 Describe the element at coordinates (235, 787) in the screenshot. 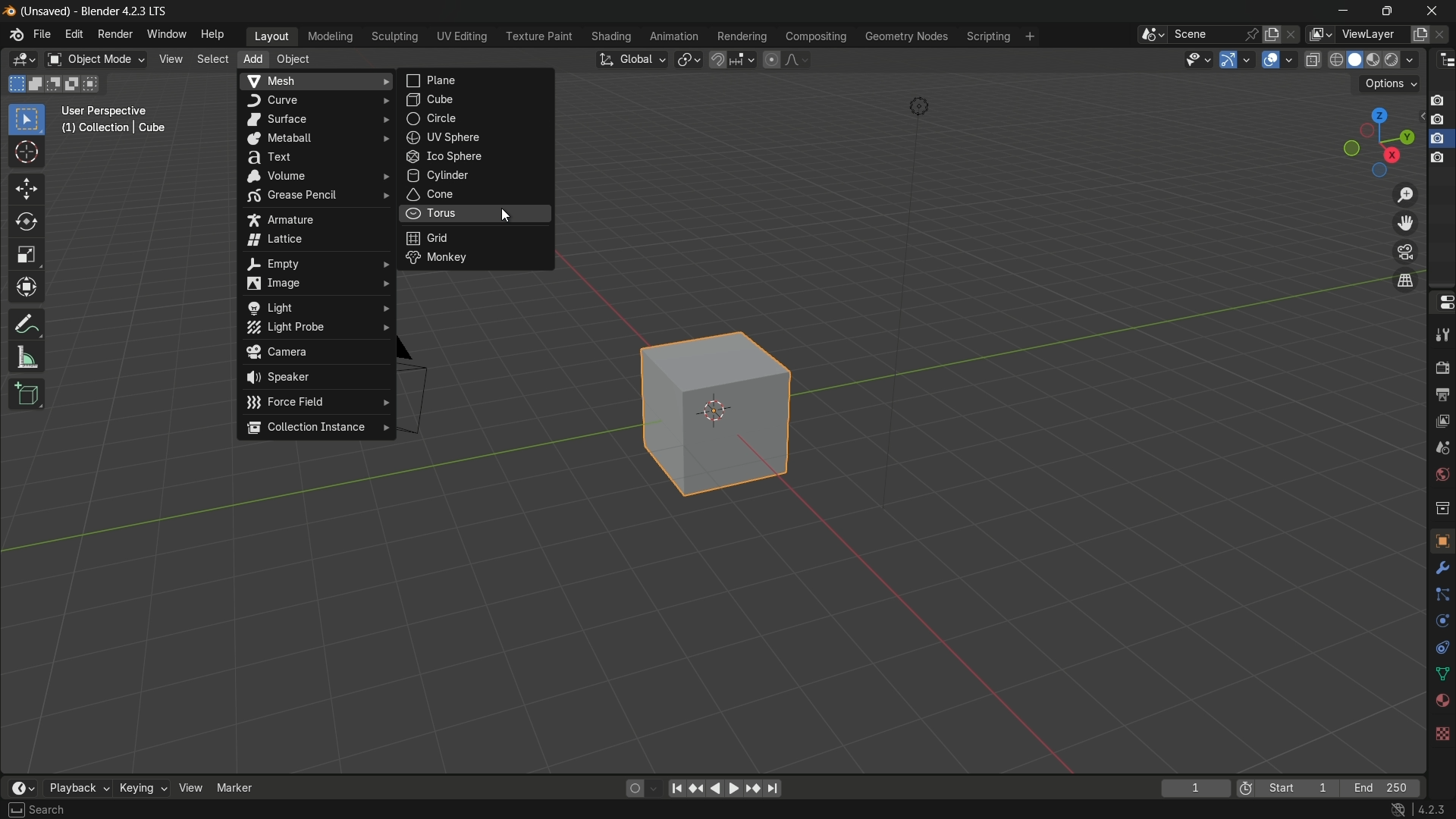

I see `marker` at that location.